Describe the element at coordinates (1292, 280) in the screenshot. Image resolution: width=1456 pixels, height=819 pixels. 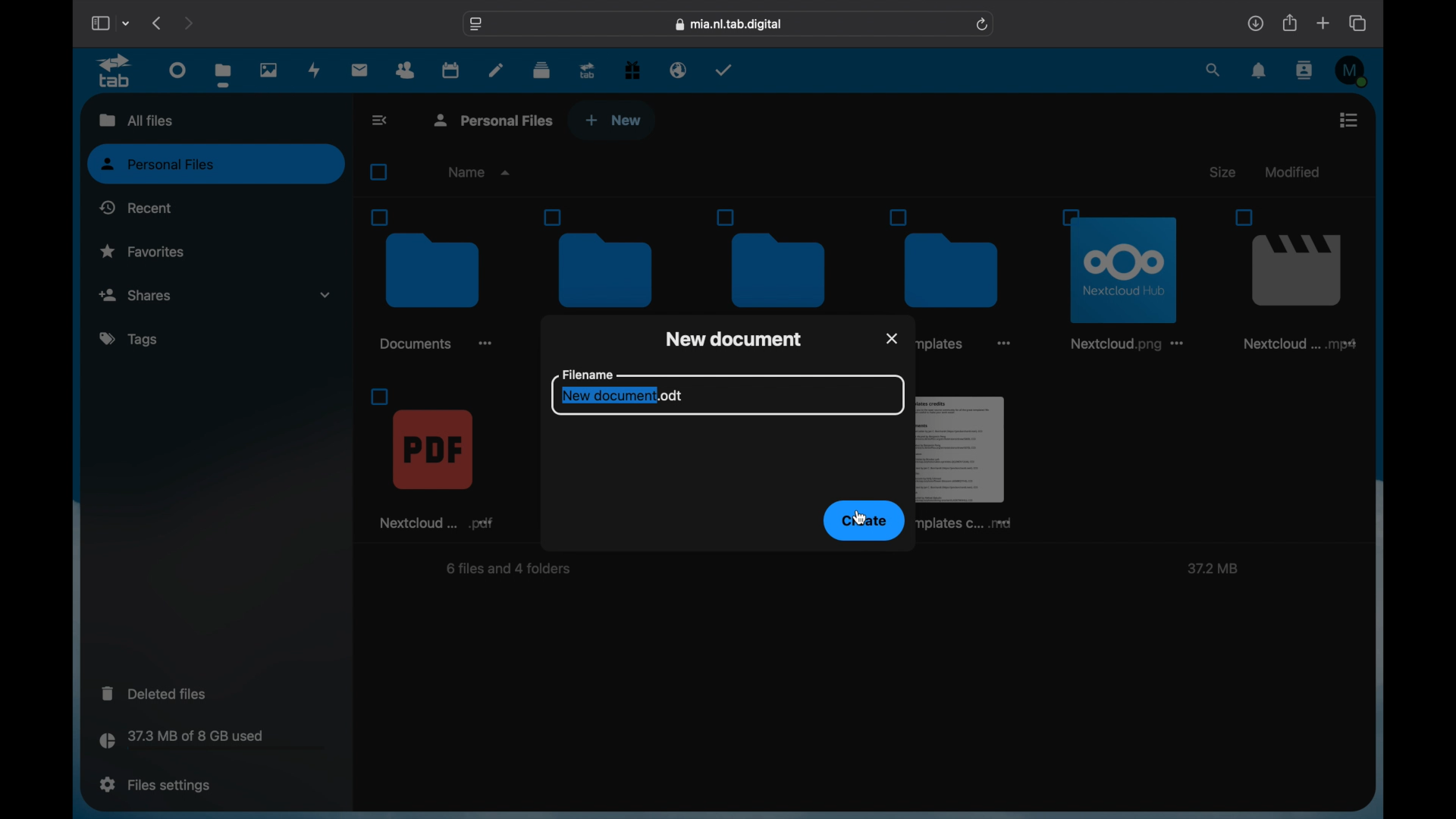
I see `file` at that location.